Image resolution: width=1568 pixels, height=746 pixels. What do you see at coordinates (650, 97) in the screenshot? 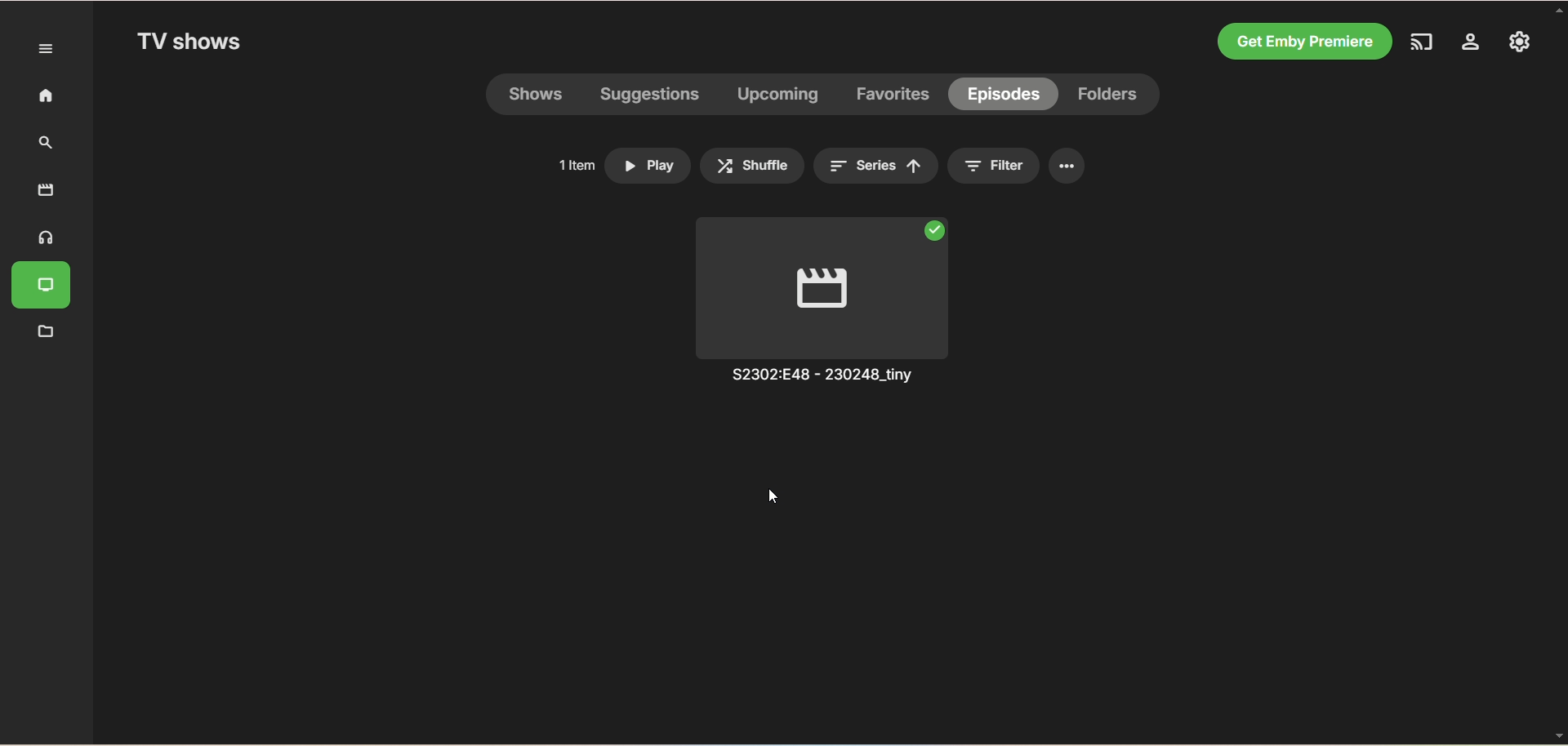
I see `suggestions` at bounding box center [650, 97].